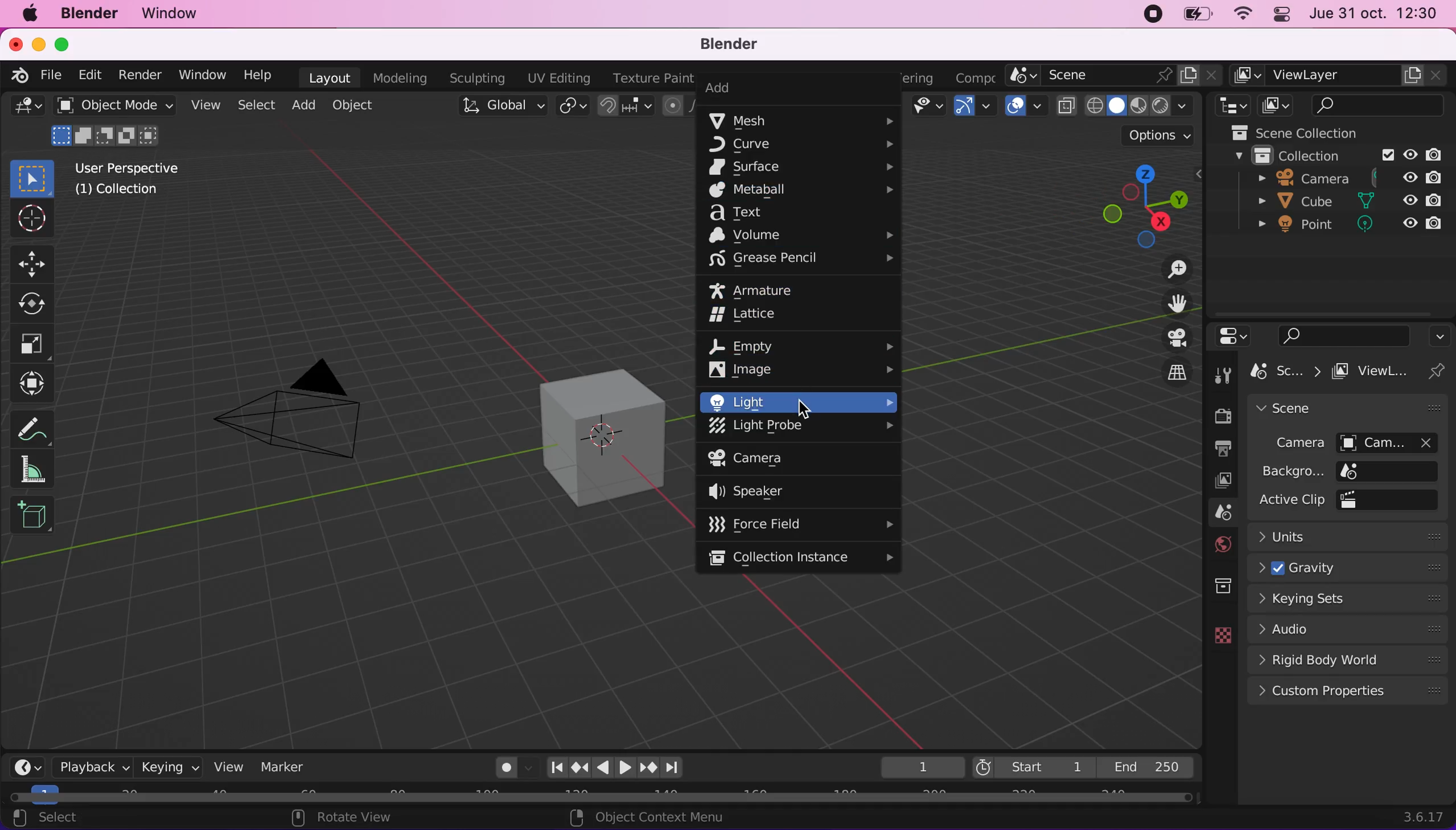  What do you see at coordinates (206, 75) in the screenshot?
I see `window` at bounding box center [206, 75].